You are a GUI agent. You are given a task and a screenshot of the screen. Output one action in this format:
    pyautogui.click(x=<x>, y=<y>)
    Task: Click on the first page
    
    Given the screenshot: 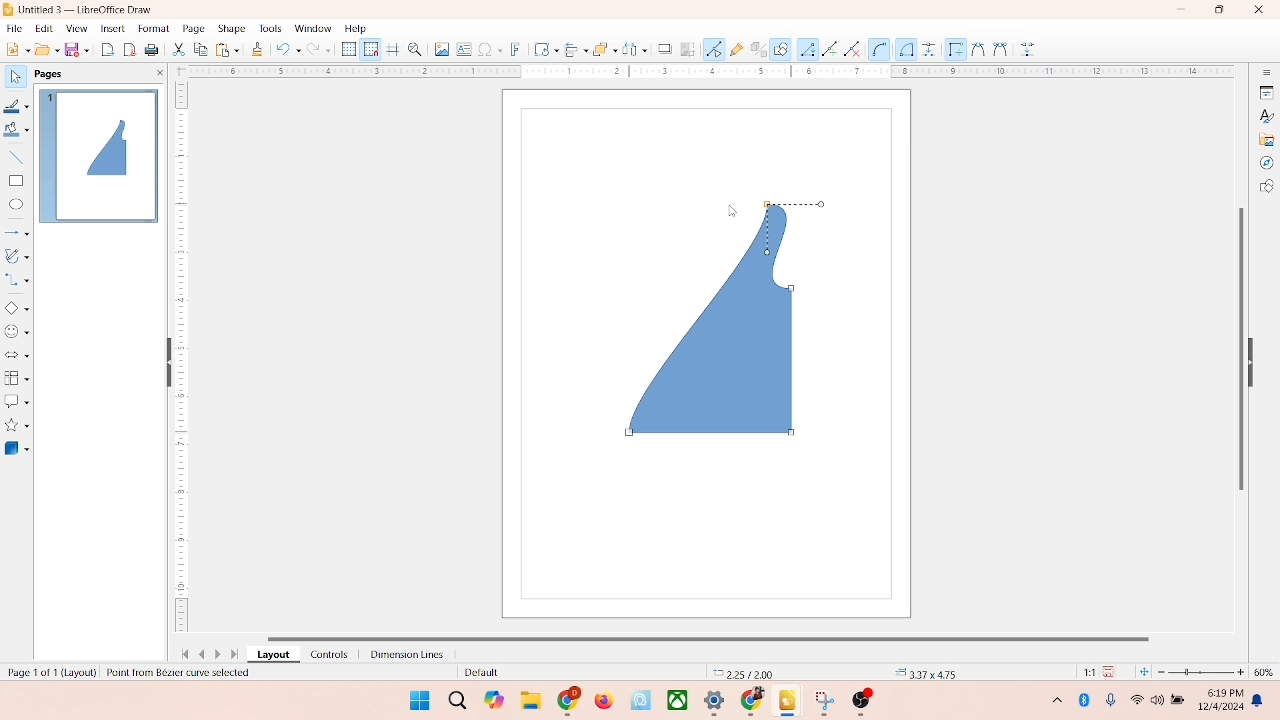 What is the action you would take?
    pyautogui.click(x=181, y=652)
    